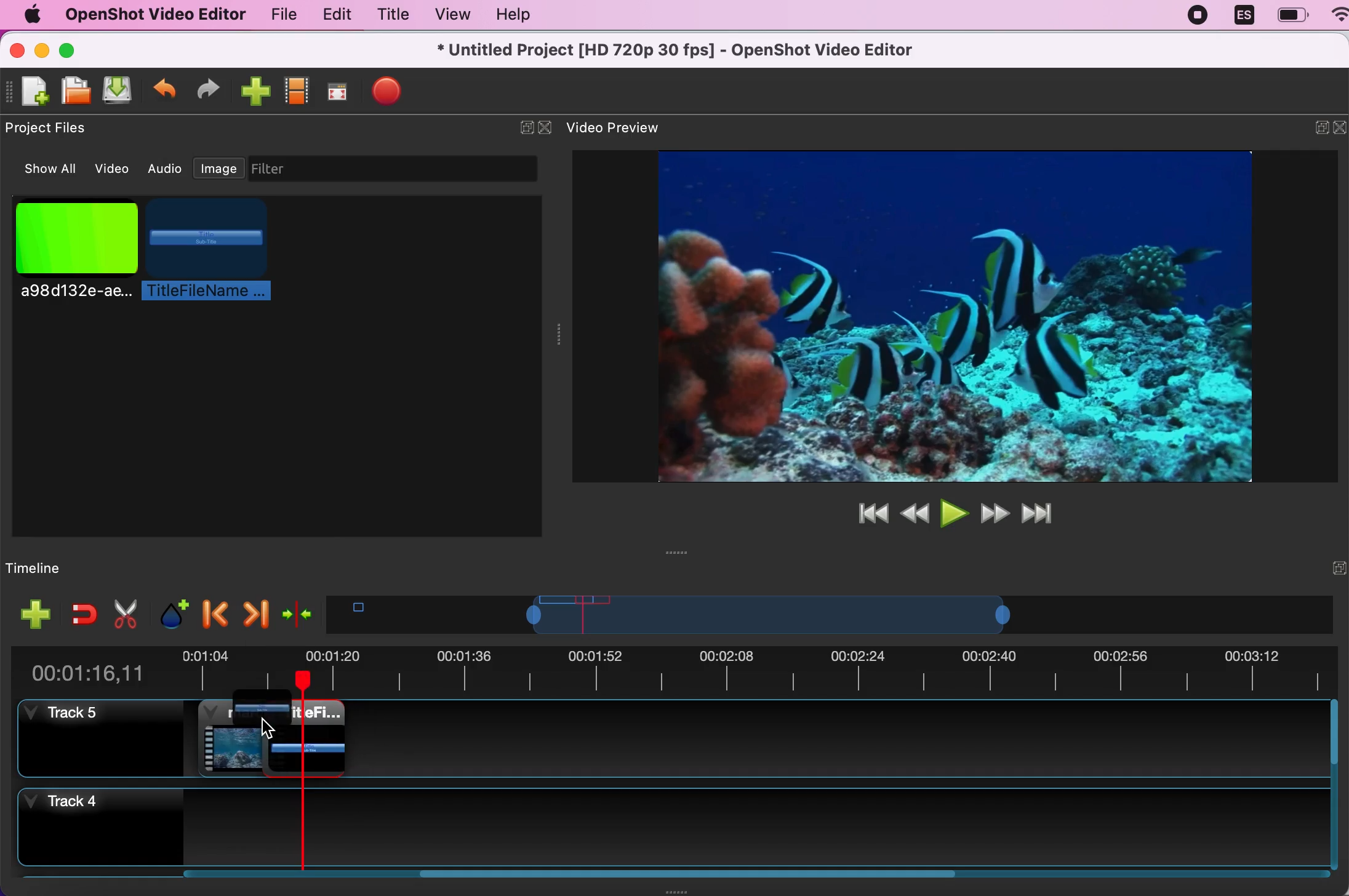 This screenshot has width=1349, height=896. I want to click on show all, so click(44, 169).